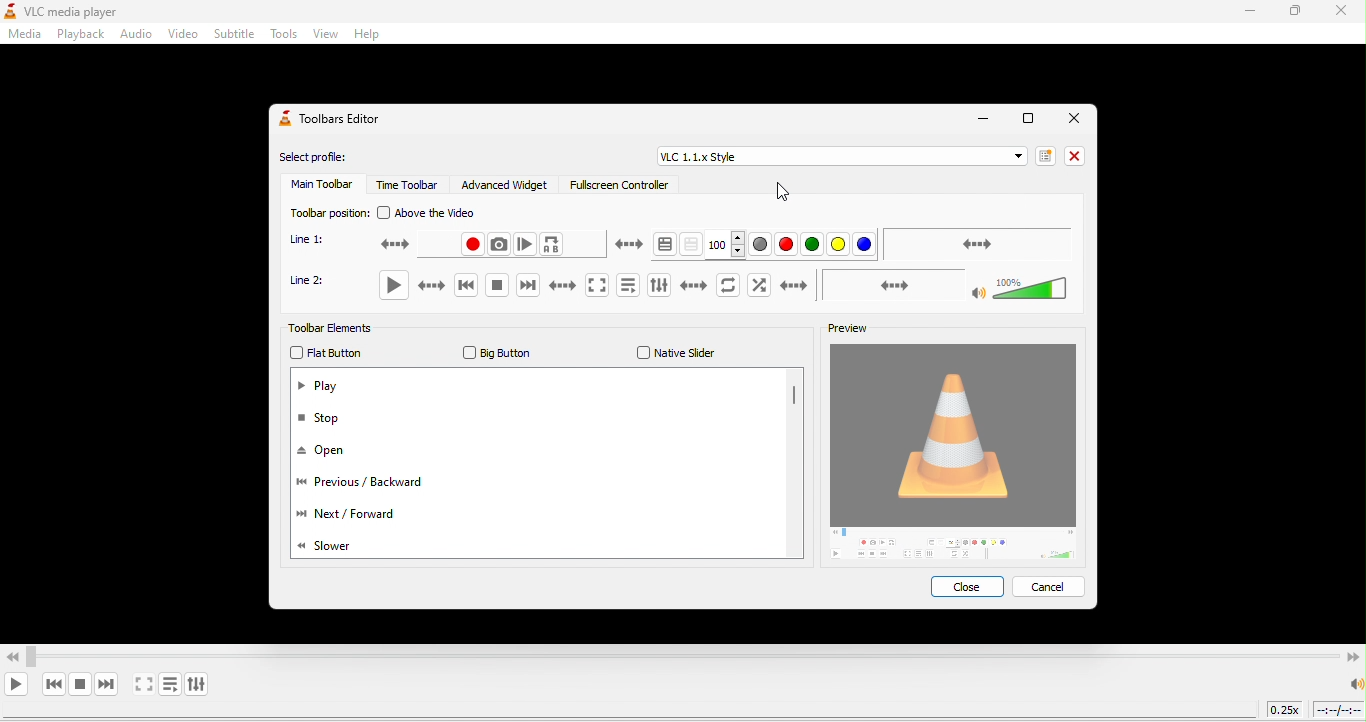 The image size is (1366, 722). What do you see at coordinates (400, 286) in the screenshot?
I see `play` at bounding box center [400, 286].